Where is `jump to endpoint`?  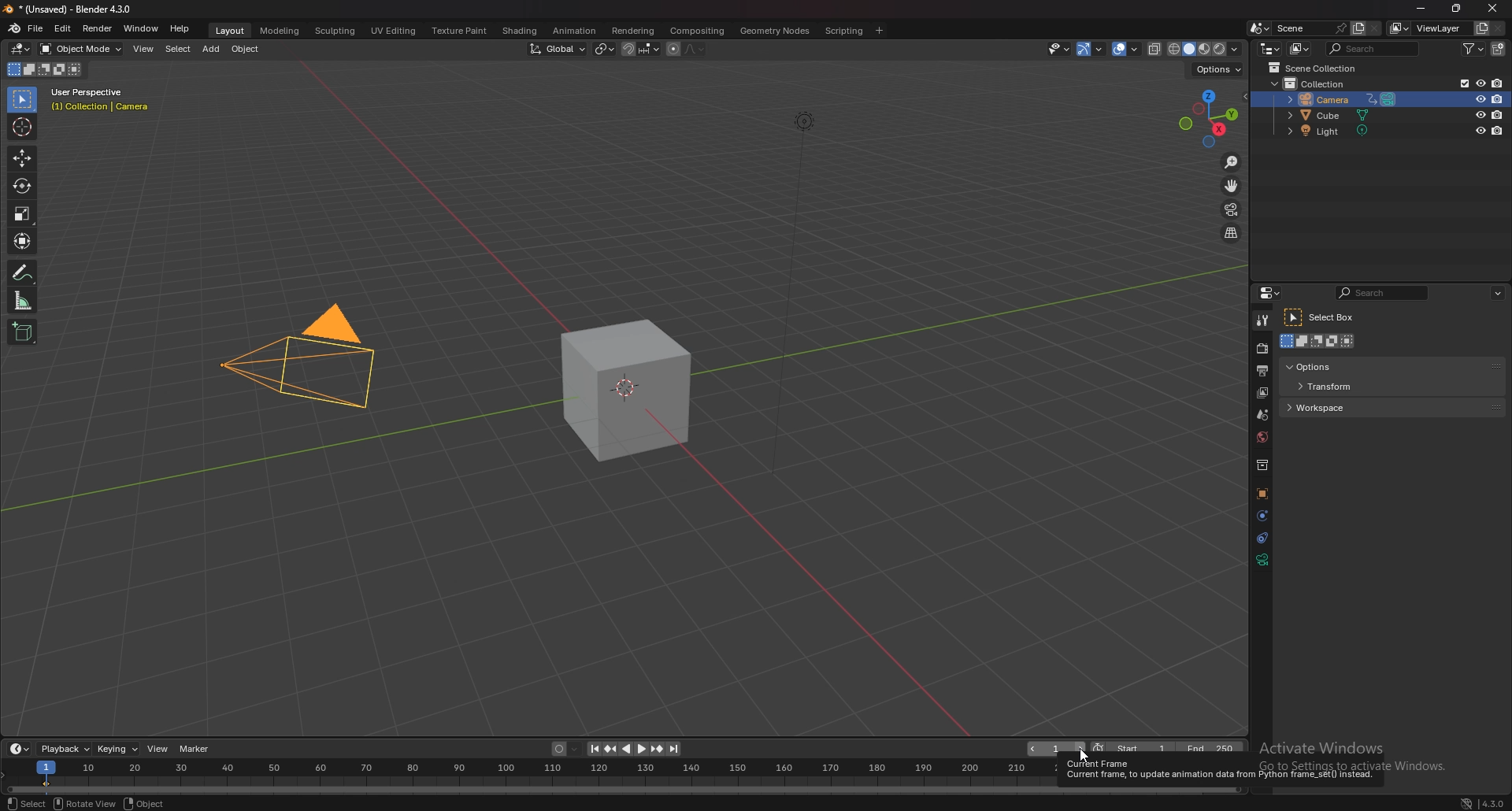
jump to endpoint is located at coordinates (590, 749).